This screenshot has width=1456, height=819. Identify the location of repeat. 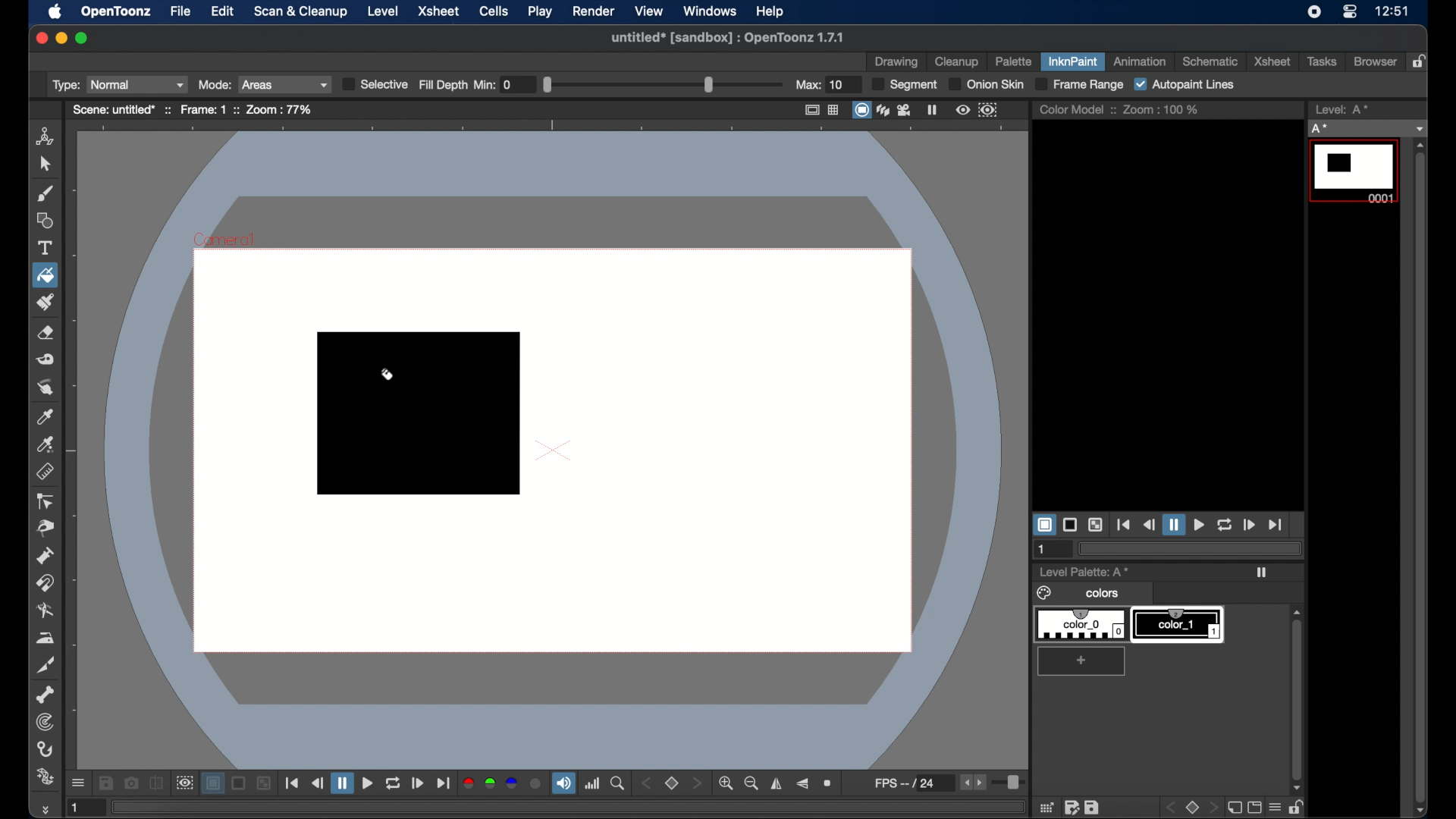
(392, 784).